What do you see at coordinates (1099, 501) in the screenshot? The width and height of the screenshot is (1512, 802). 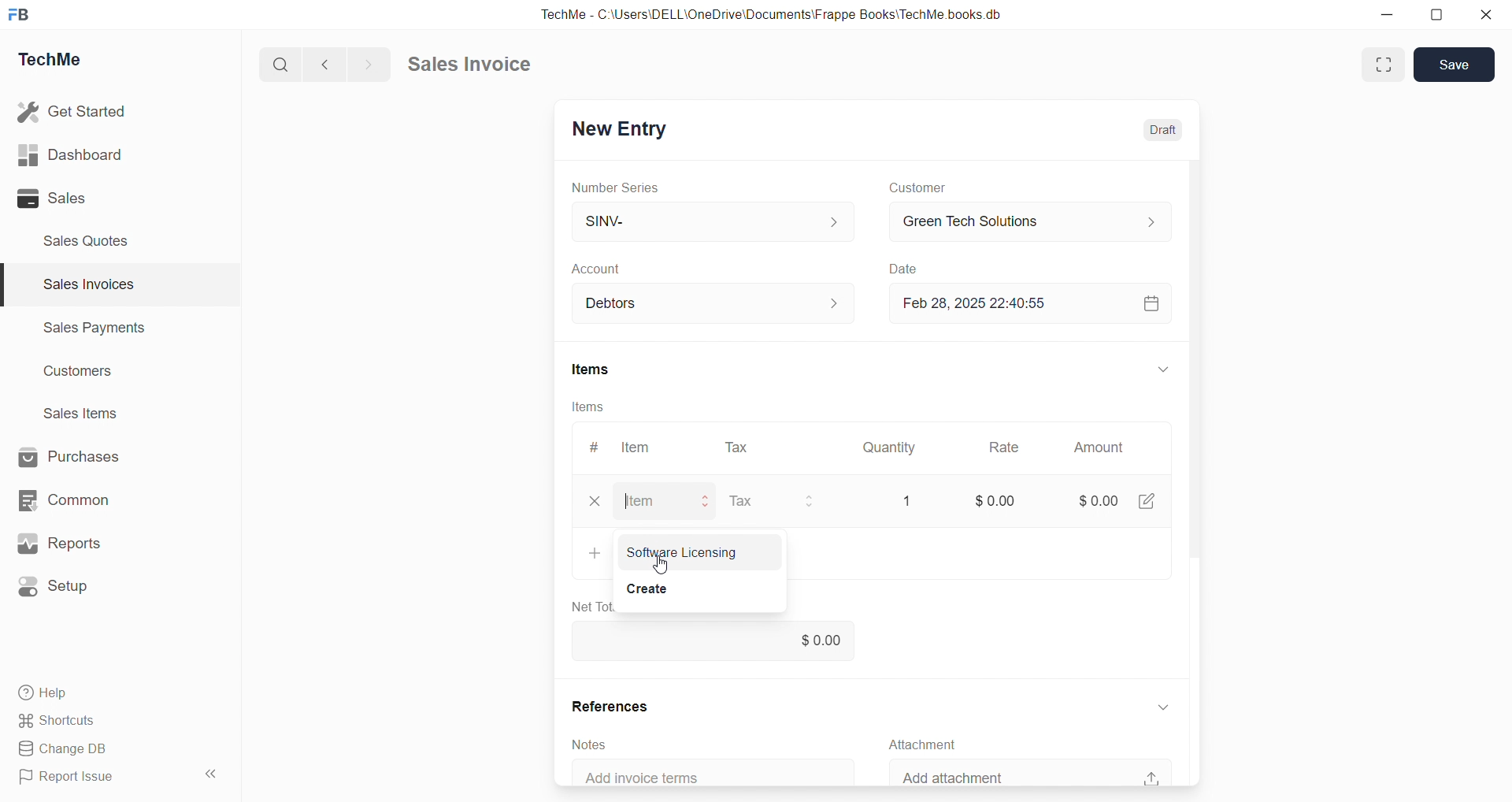 I see `$0.00` at bounding box center [1099, 501].